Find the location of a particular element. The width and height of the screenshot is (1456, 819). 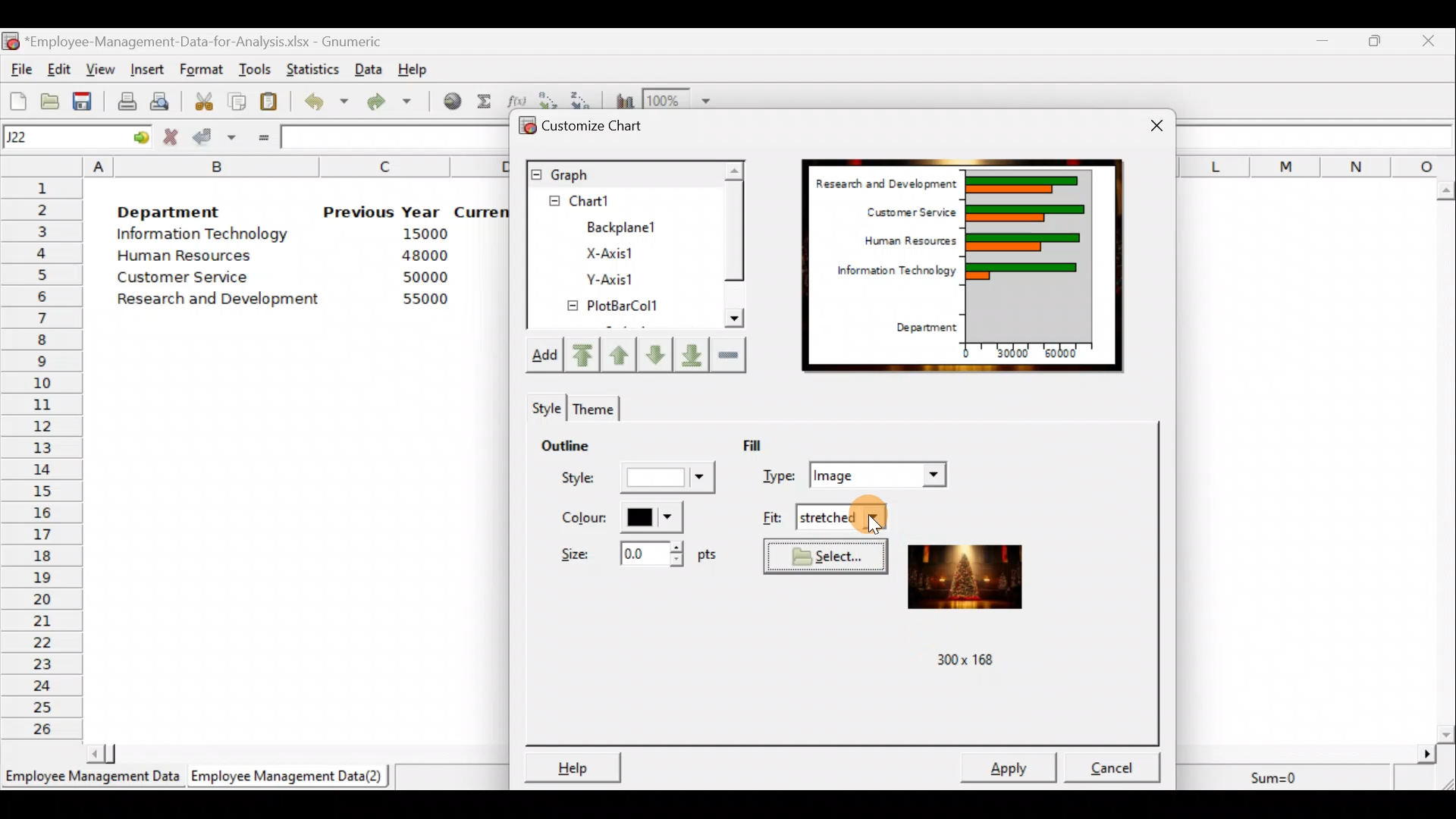

Format is located at coordinates (203, 67).